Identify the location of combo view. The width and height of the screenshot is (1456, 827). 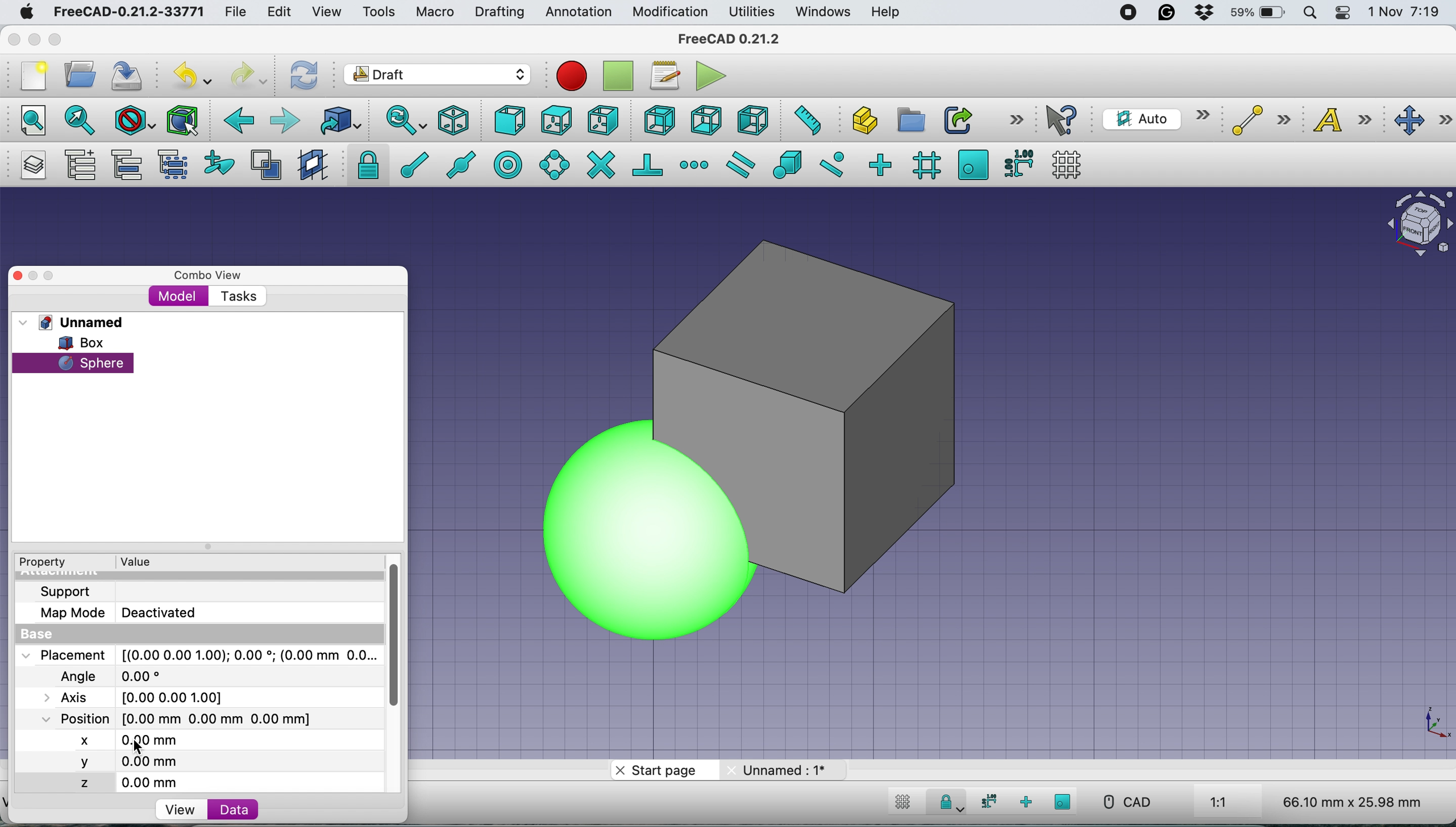
(208, 275).